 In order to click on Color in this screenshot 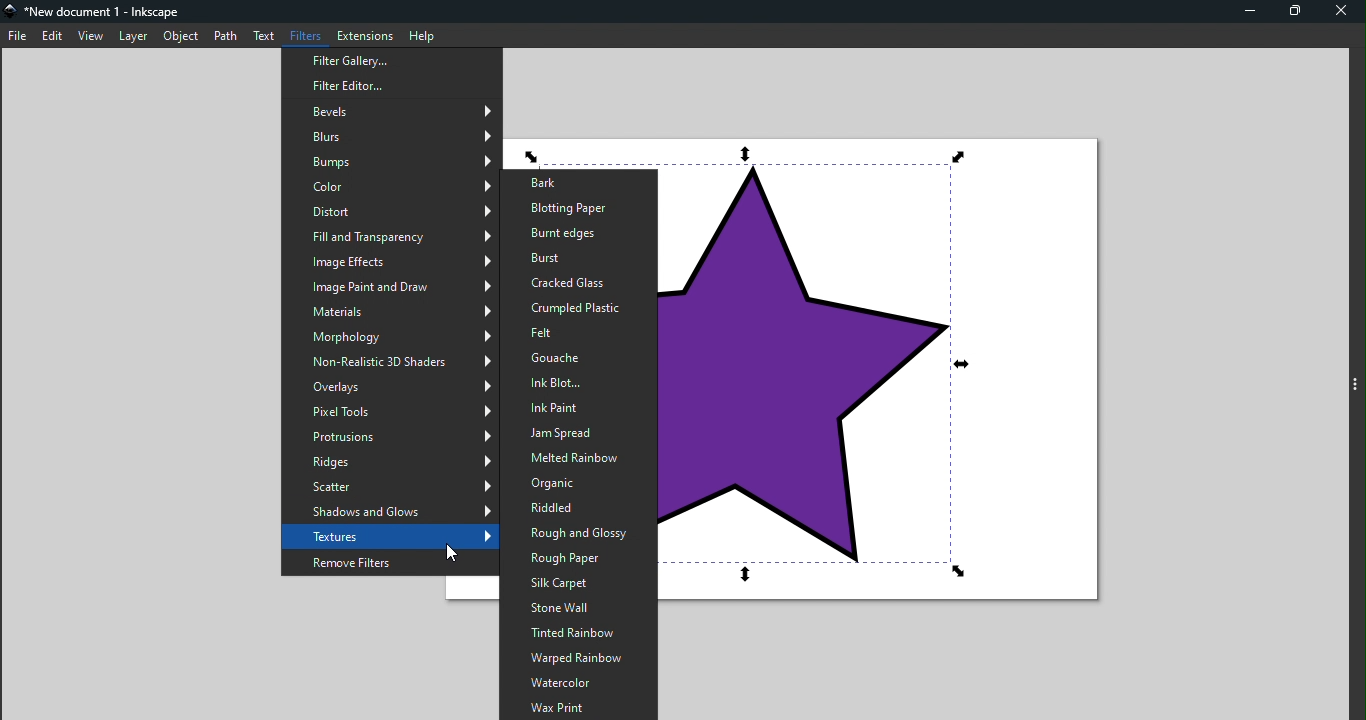, I will do `click(389, 187)`.